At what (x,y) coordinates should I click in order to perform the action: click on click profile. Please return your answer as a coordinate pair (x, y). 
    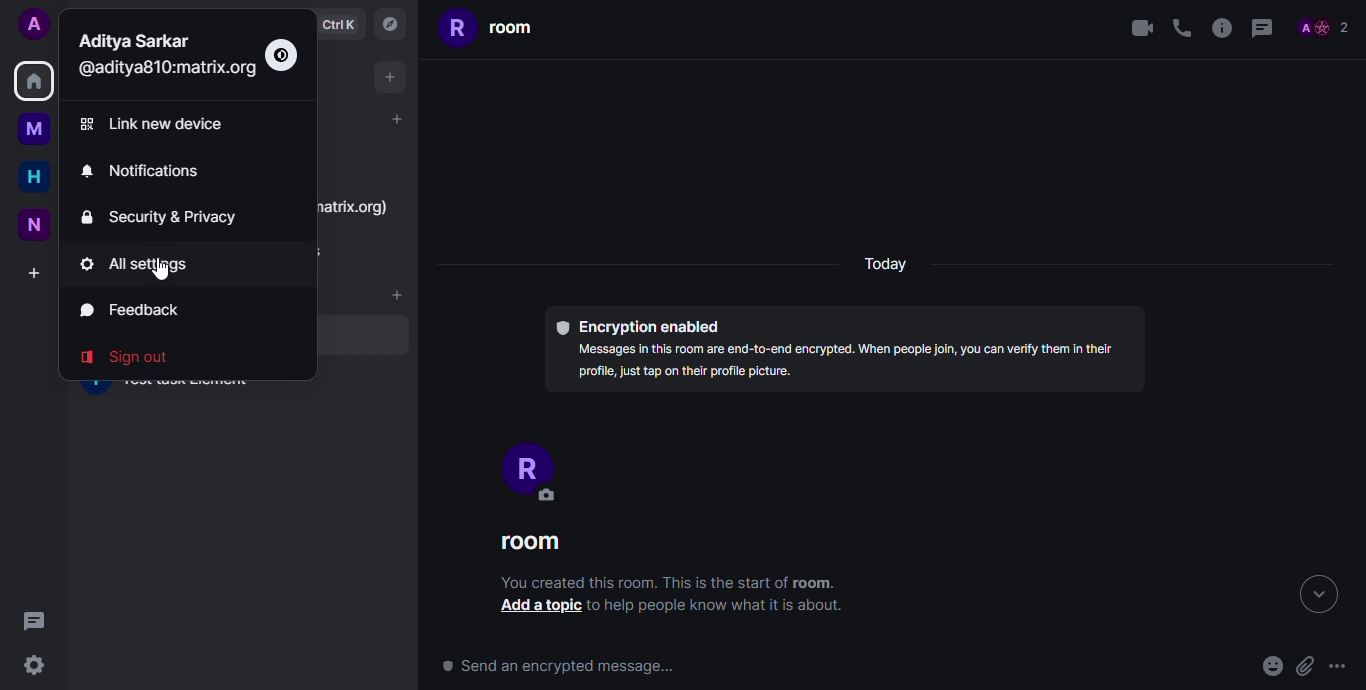
    Looking at the image, I should click on (35, 24).